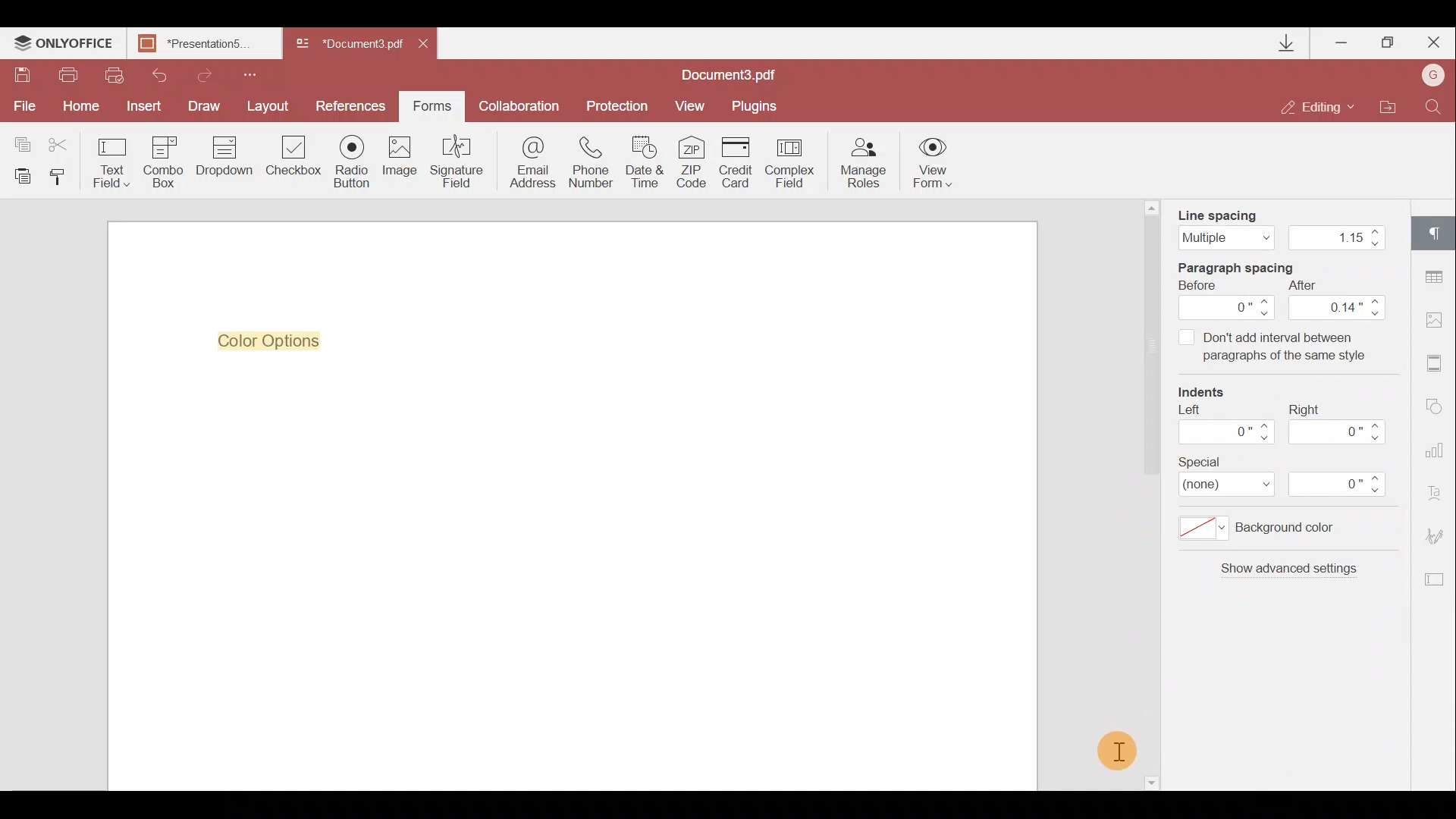  I want to click on View, so click(695, 106).